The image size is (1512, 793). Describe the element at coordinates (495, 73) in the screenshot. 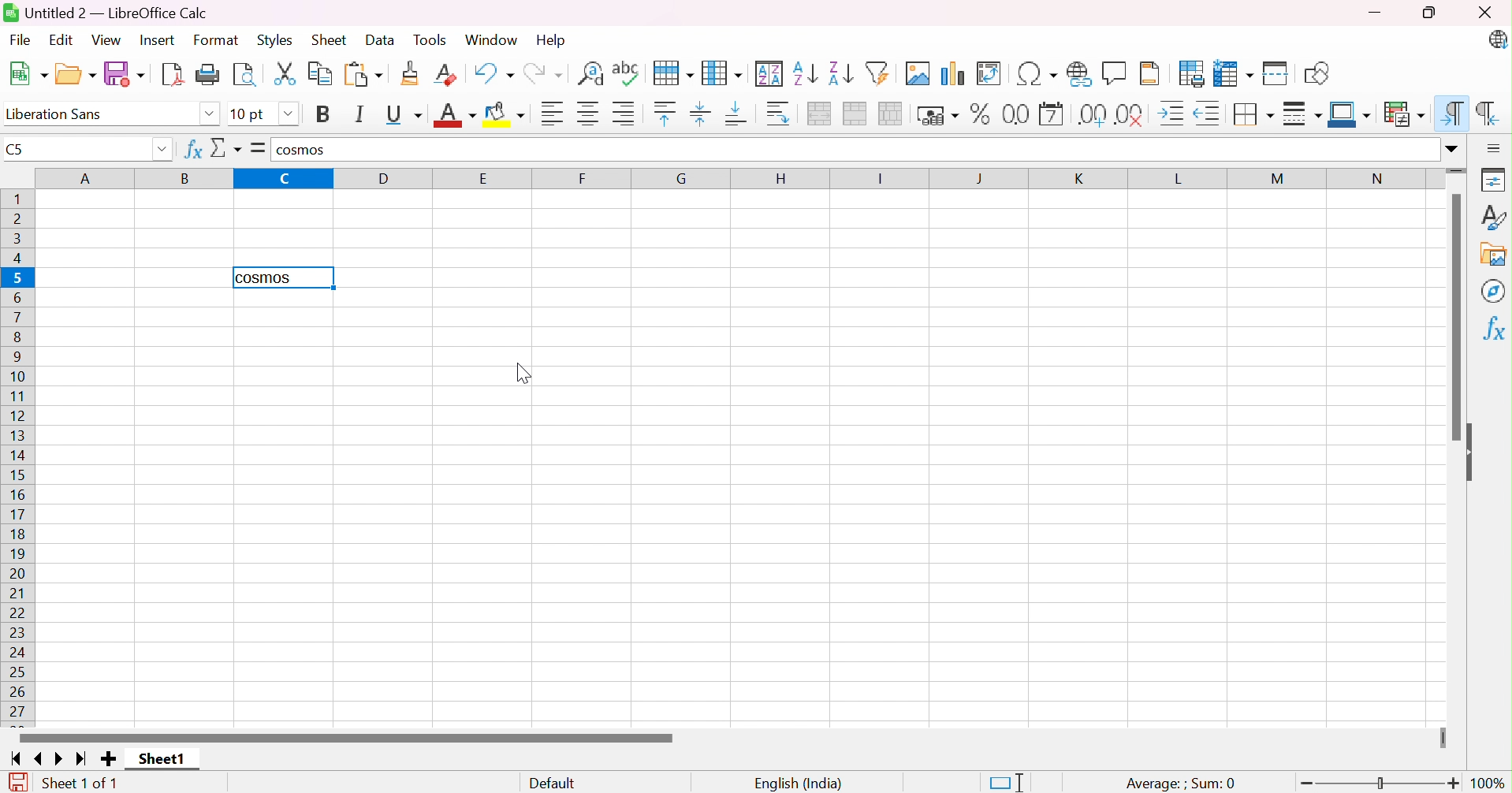

I see `Undo` at that location.